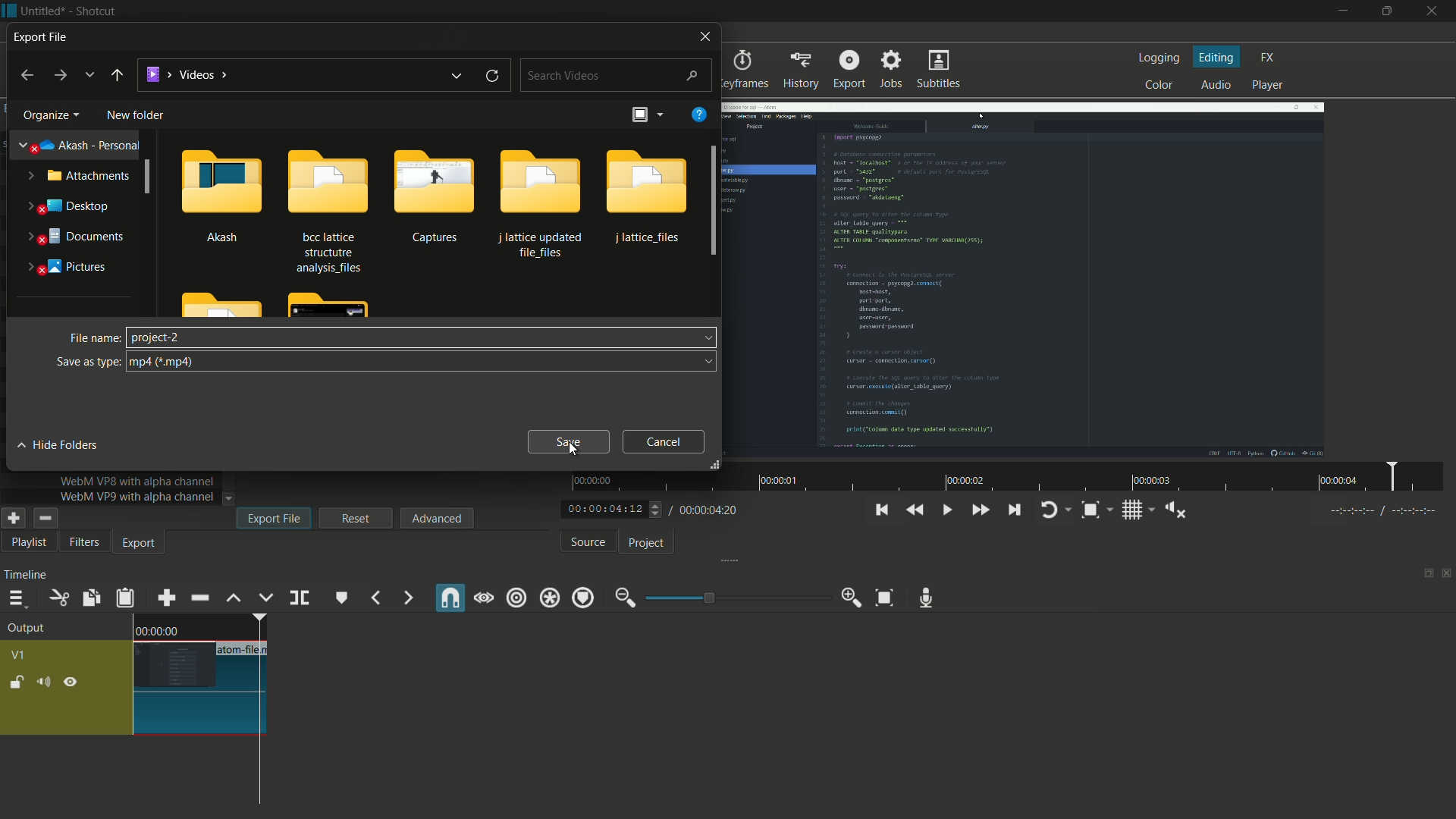 Image resolution: width=1456 pixels, height=819 pixels. Describe the element at coordinates (615, 75) in the screenshot. I see `search videos bar` at that location.